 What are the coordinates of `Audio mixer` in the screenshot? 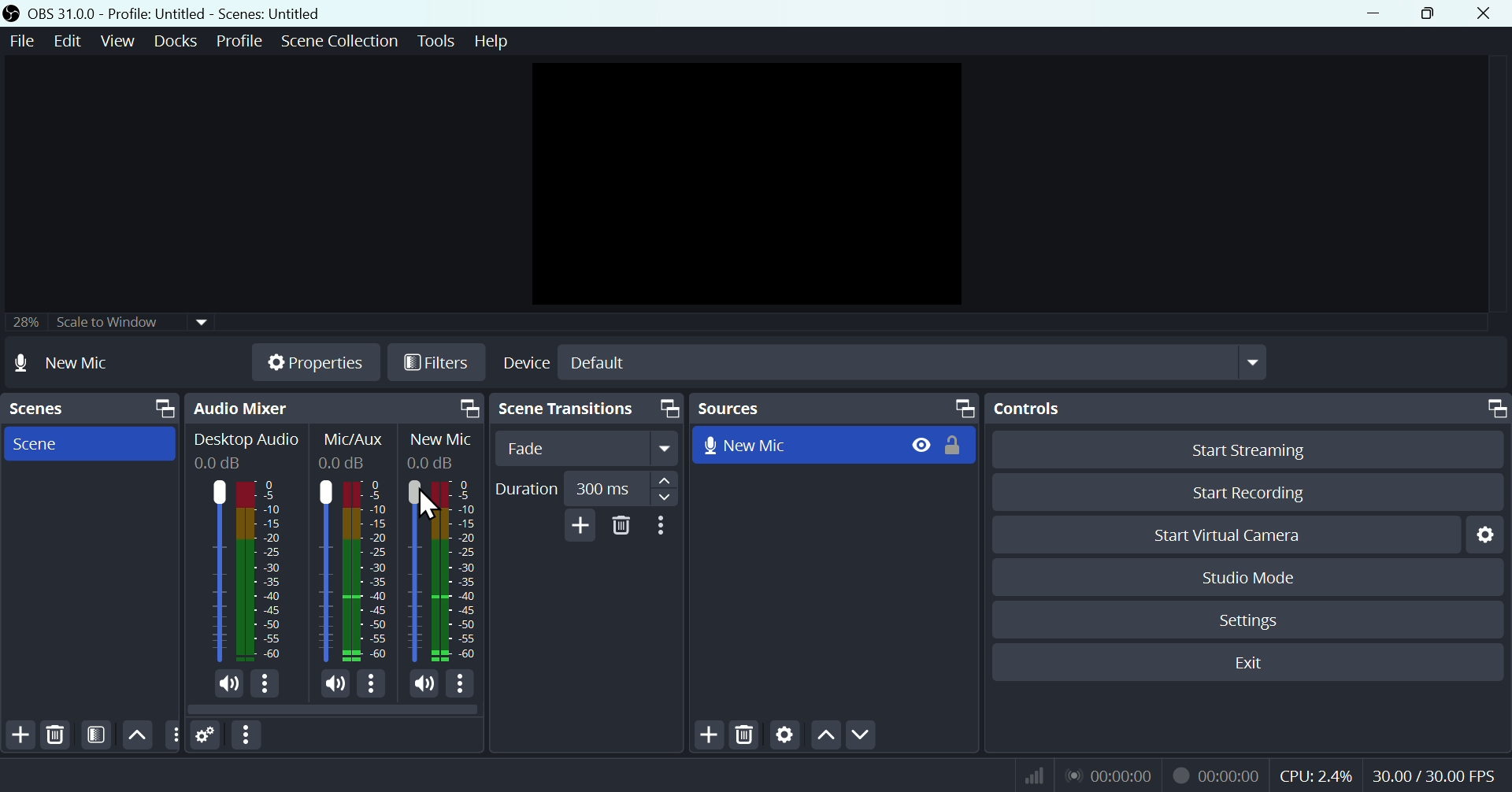 It's located at (332, 409).